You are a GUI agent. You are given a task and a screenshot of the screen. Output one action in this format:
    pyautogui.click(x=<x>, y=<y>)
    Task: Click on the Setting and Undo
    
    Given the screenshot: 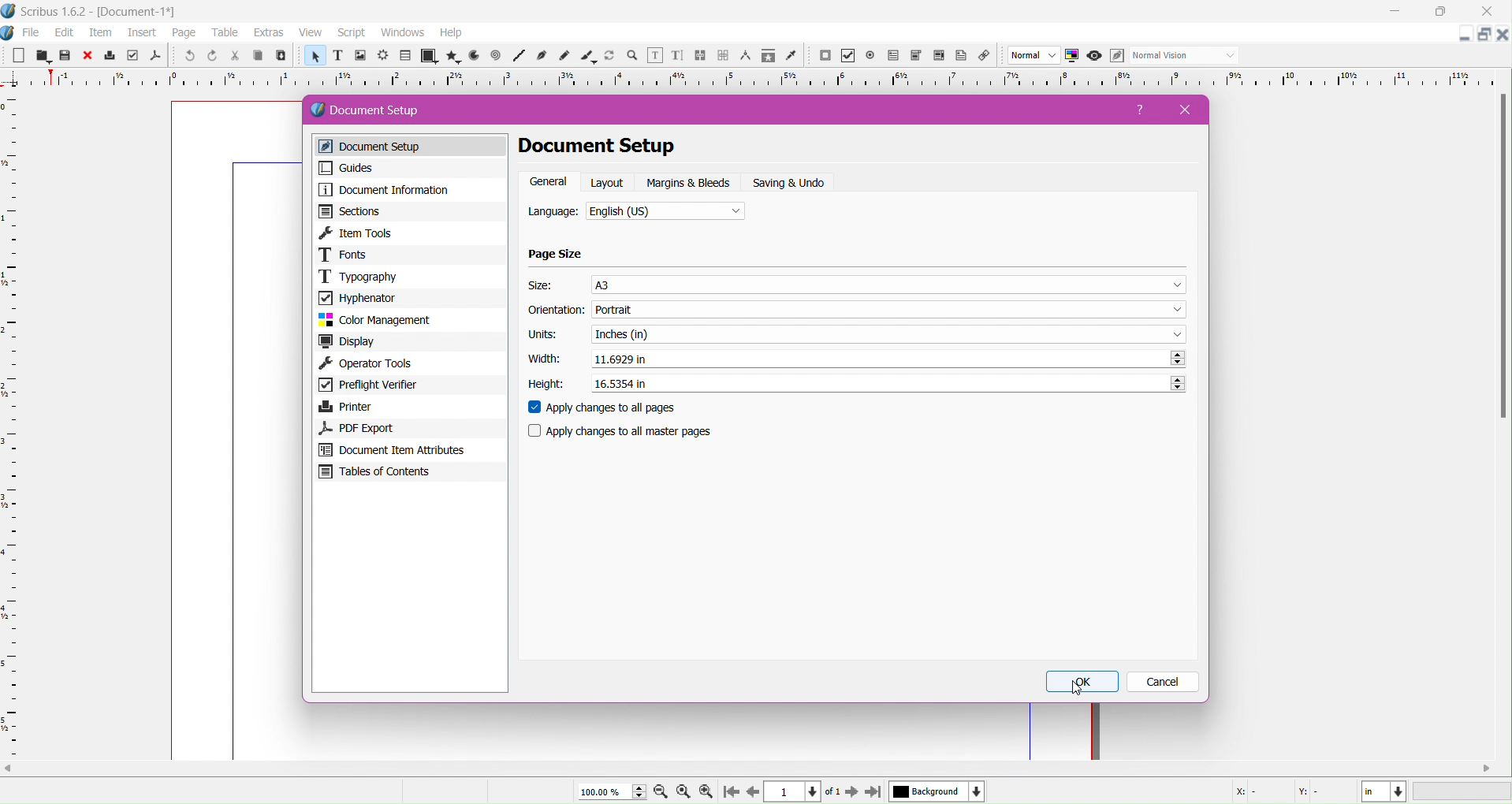 What is the action you would take?
    pyautogui.click(x=795, y=183)
    